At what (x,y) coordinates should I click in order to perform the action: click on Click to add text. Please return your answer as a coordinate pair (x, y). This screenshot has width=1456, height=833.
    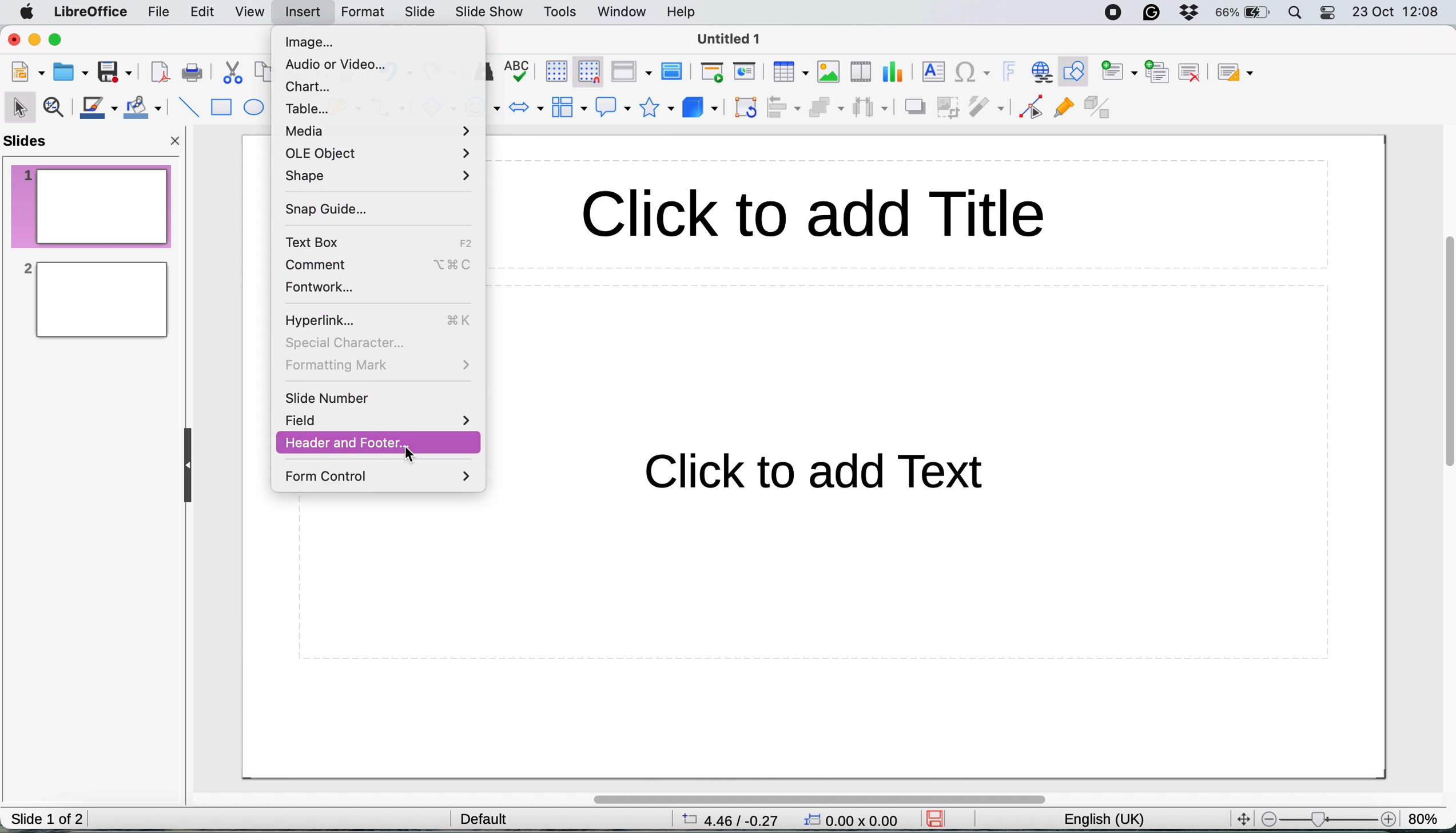
    Looking at the image, I should click on (799, 481).